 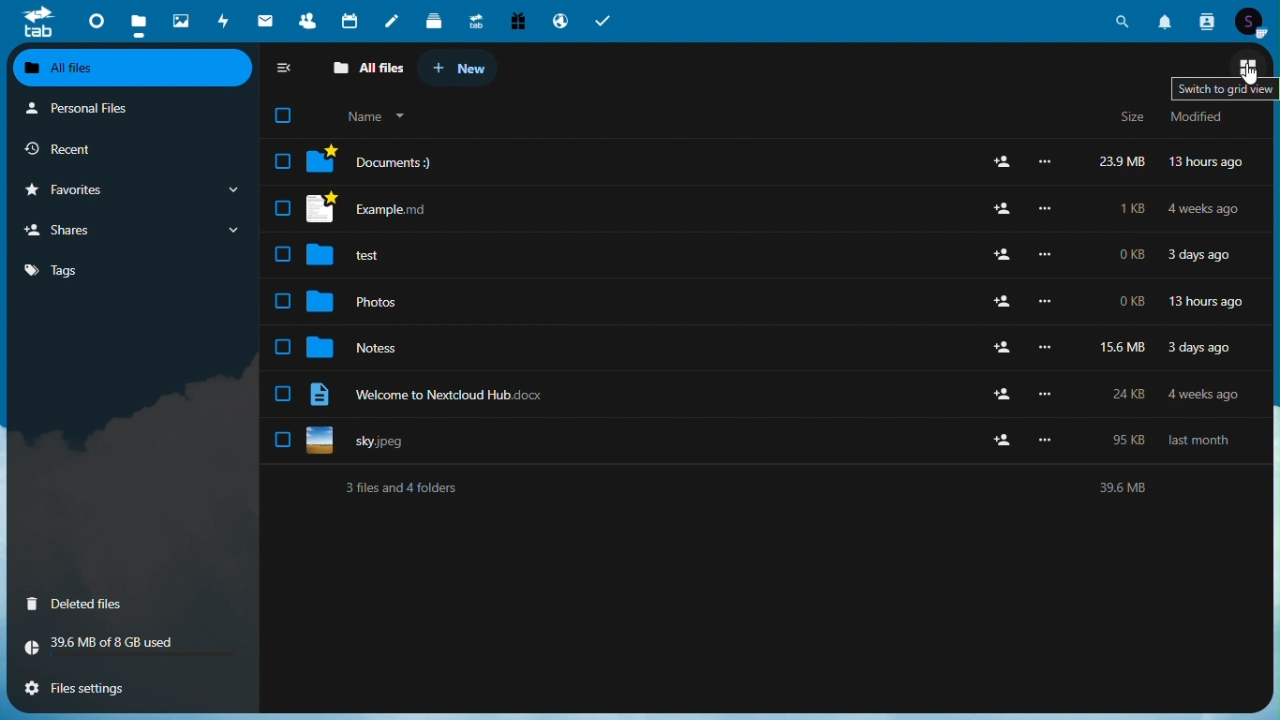 I want to click on folder, so click(x=320, y=160).